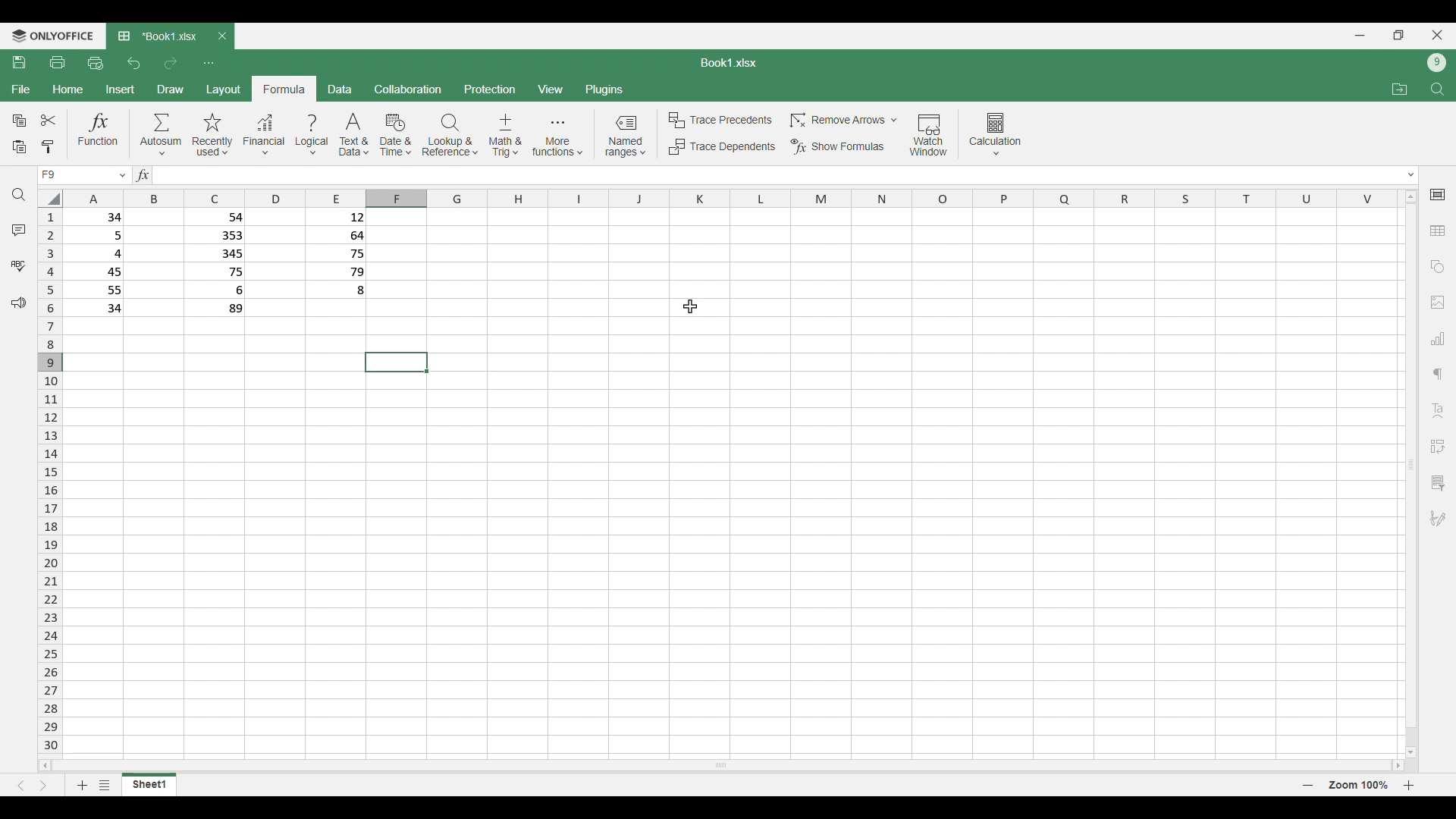  What do you see at coordinates (505, 135) in the screenshot?
I see `Math and trig` at bounding box center [505, 135].